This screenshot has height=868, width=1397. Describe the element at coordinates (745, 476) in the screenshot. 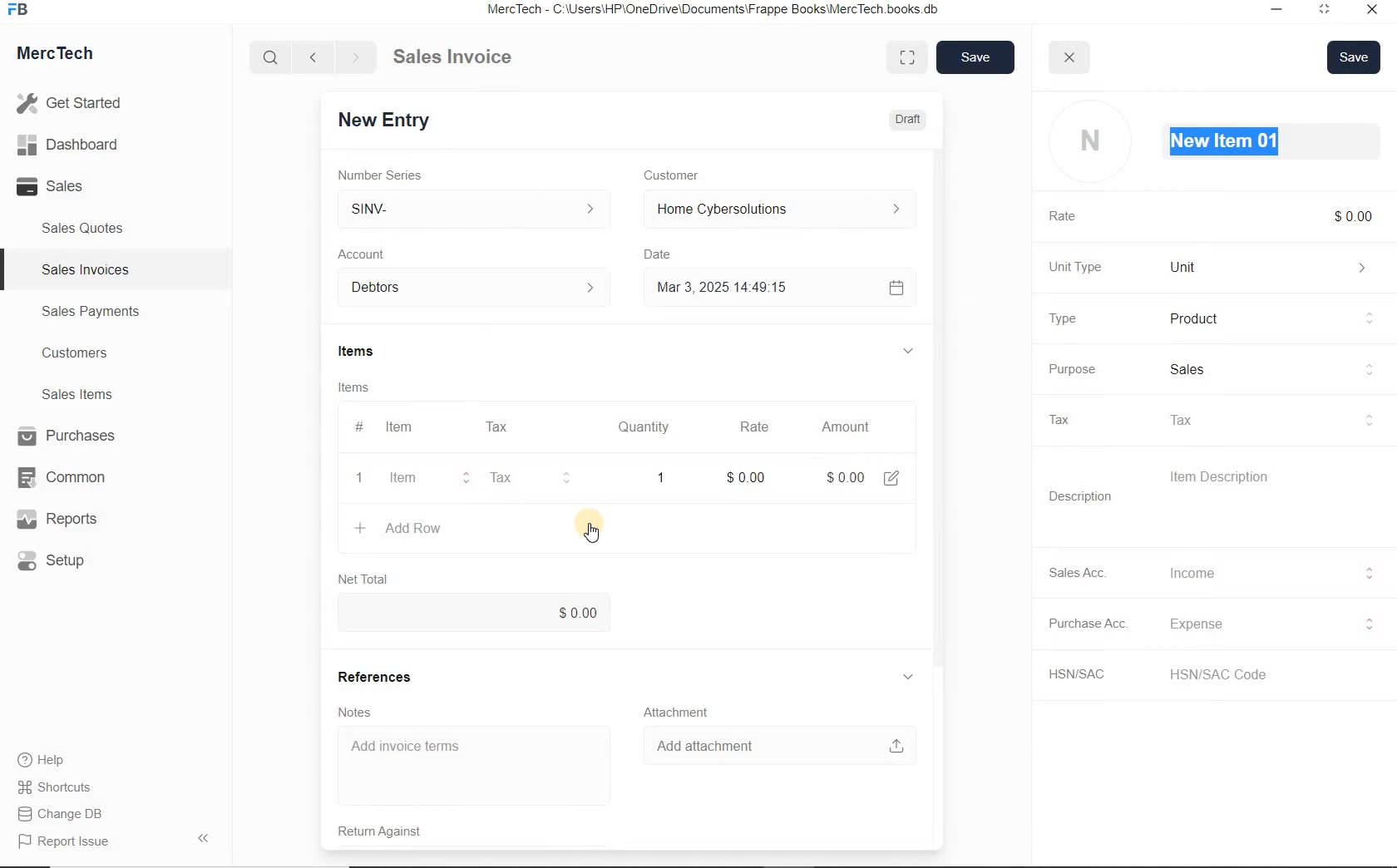

I see `rate: $0.00` at that location.